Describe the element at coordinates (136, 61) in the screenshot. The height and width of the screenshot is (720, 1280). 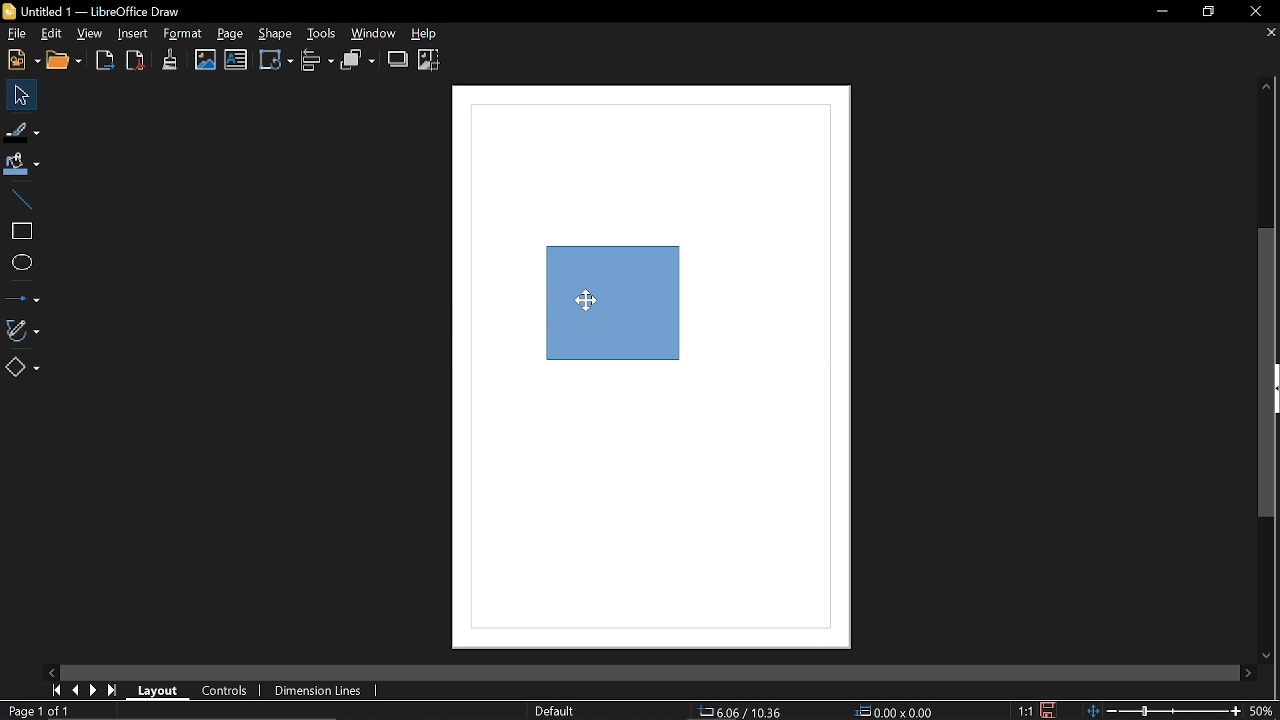
I see `Export as pdf` at that location.